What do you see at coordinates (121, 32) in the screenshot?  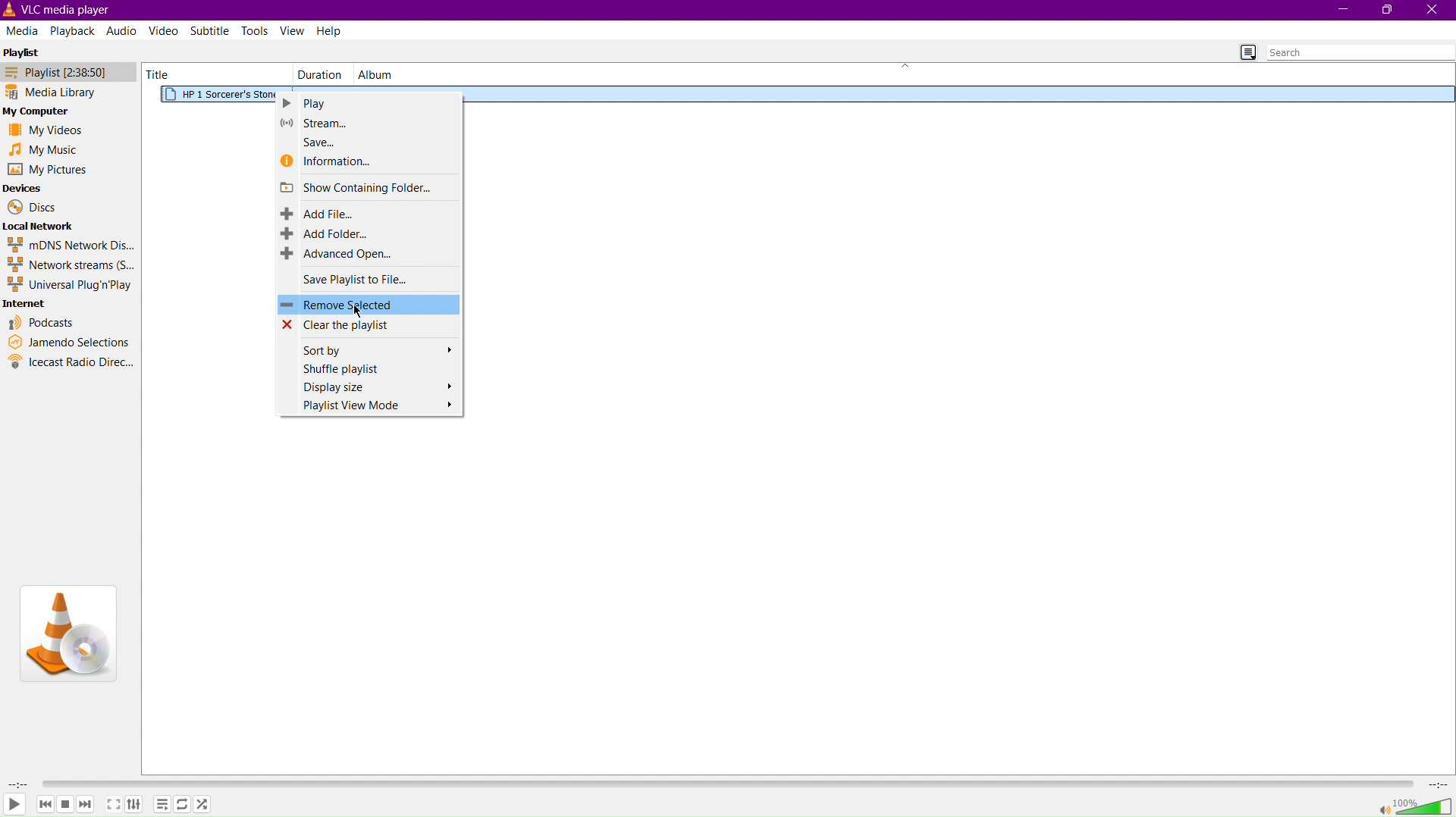 I see `Audio` at bounding box center [121, 32].